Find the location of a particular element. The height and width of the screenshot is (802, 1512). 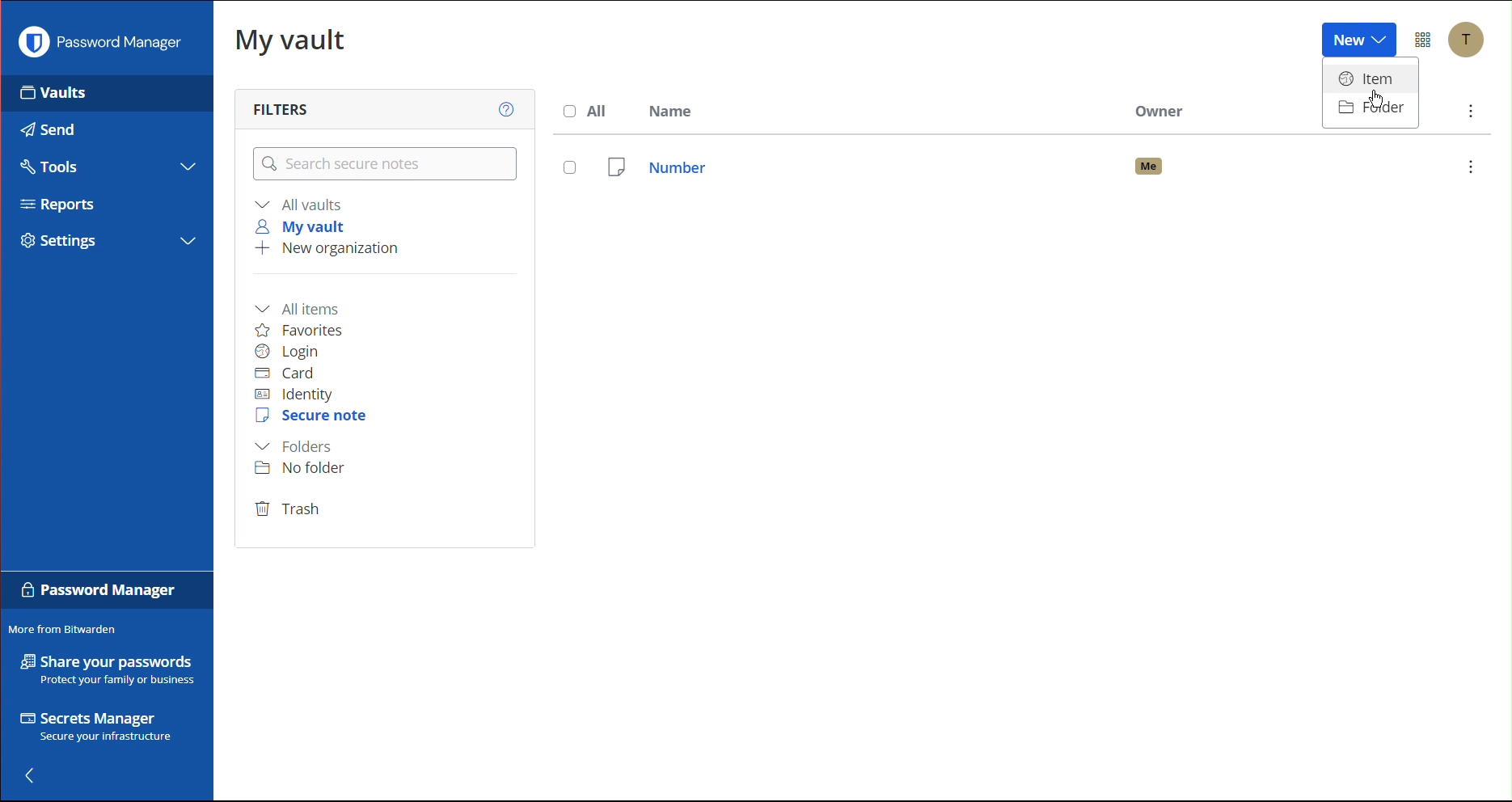

Share your passwords is located at coordinates (108, 669).